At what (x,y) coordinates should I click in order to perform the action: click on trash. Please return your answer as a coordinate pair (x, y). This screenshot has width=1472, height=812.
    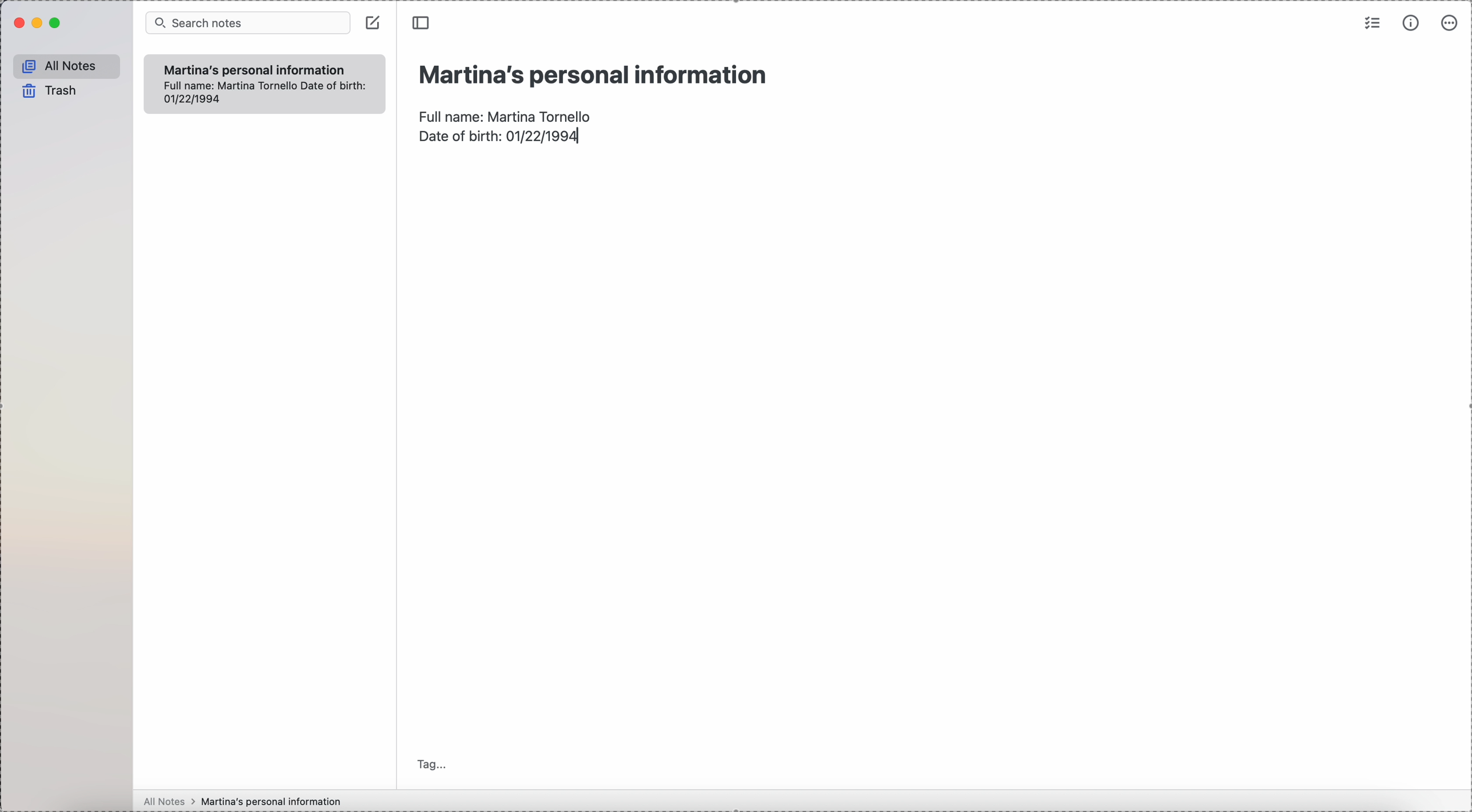
    Looking at the image, I should click on (47, 90).